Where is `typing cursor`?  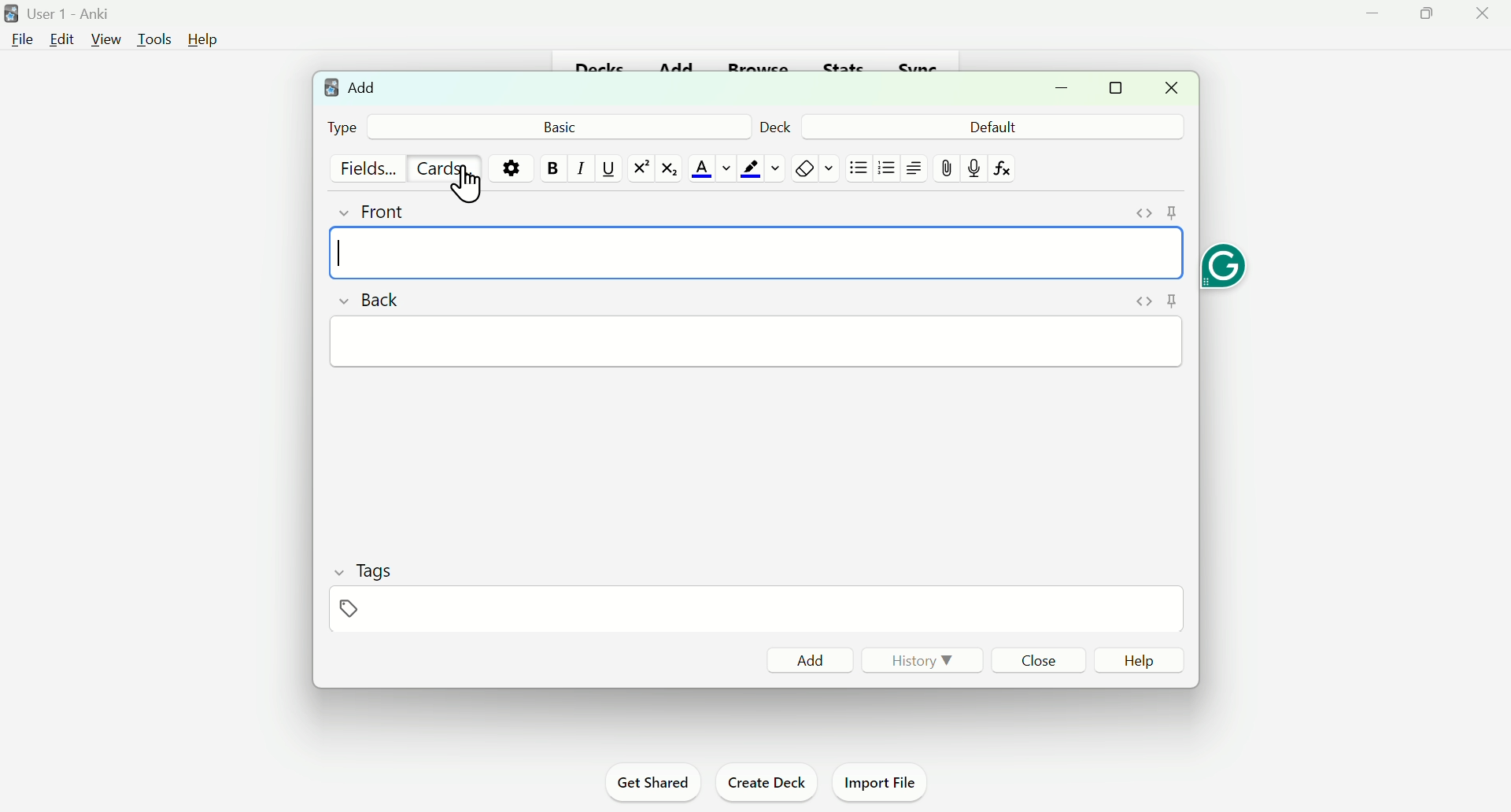 typing cursor is located at coordinates (342, 255).